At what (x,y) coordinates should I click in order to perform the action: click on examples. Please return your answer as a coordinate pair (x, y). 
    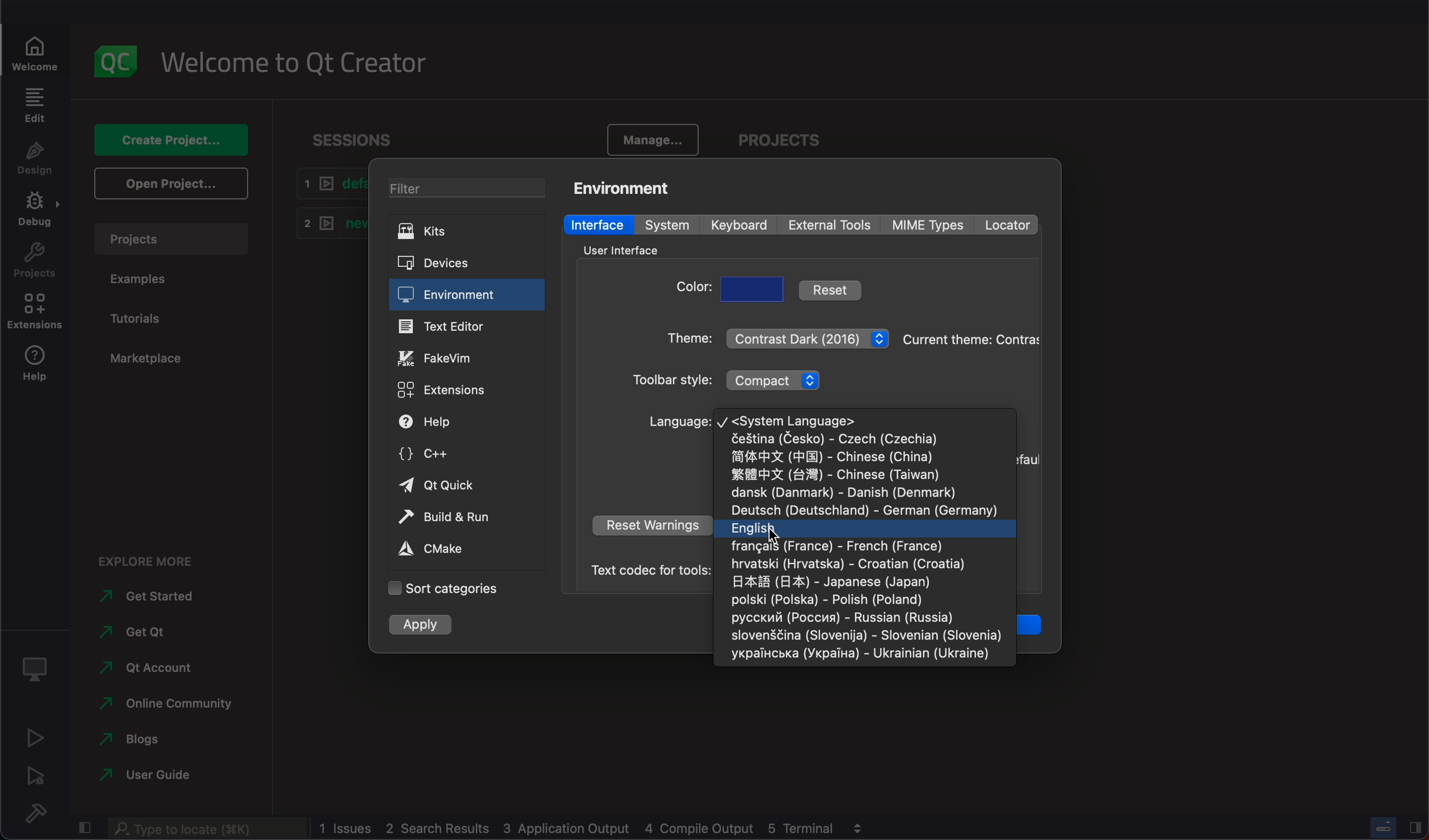
    Looking at the image, I should click on (146, 278).